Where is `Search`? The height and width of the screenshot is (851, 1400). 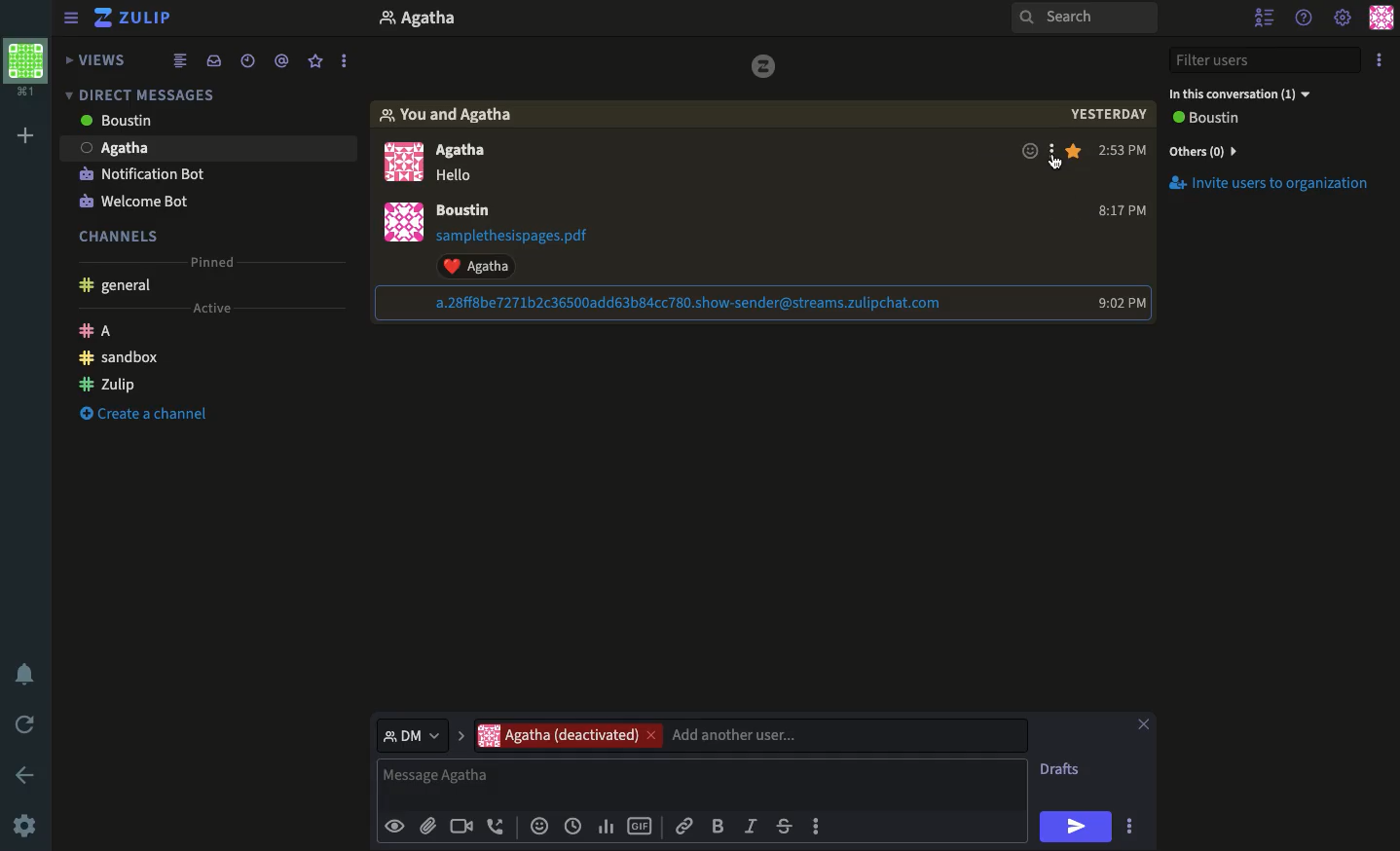 Search is located at coordinates (1085, 18).